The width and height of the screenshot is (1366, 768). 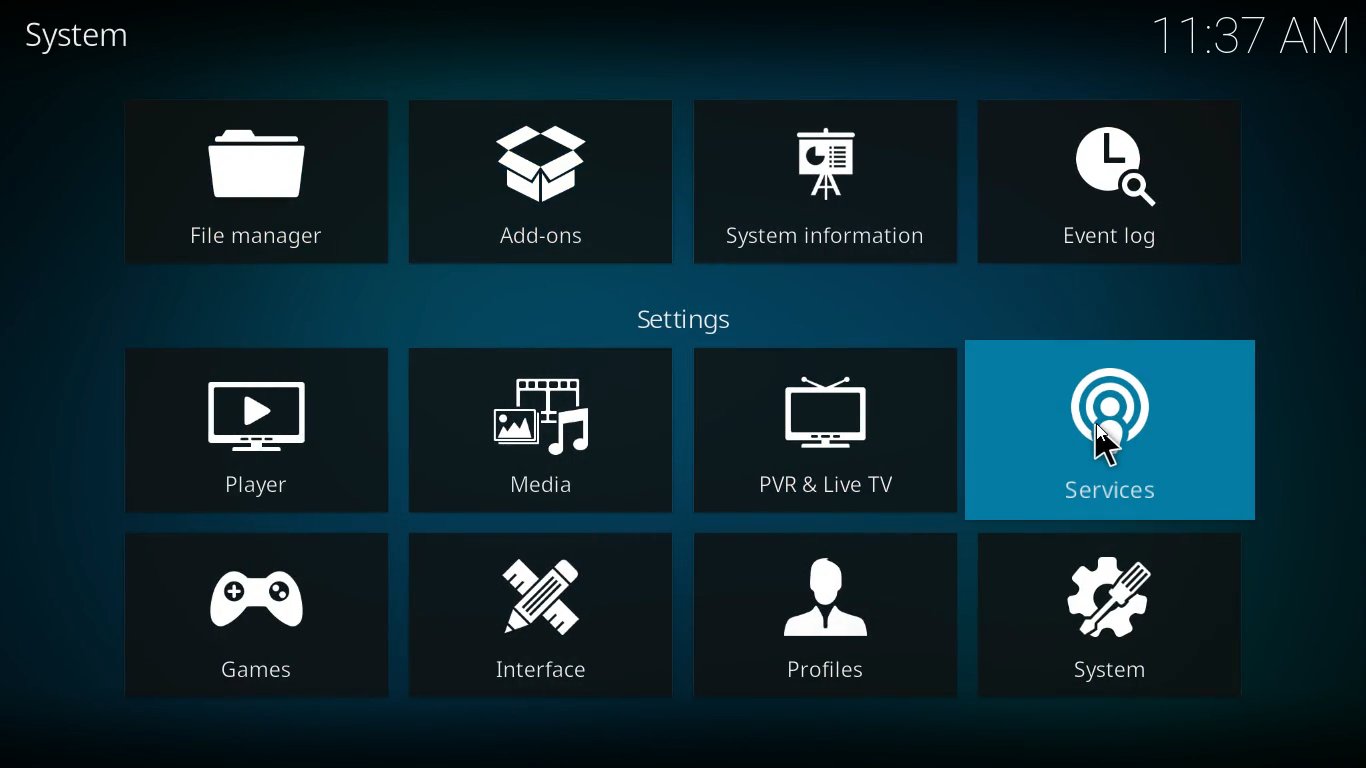 I want to click on 11:37 AM, so click(x=1249, y=37).